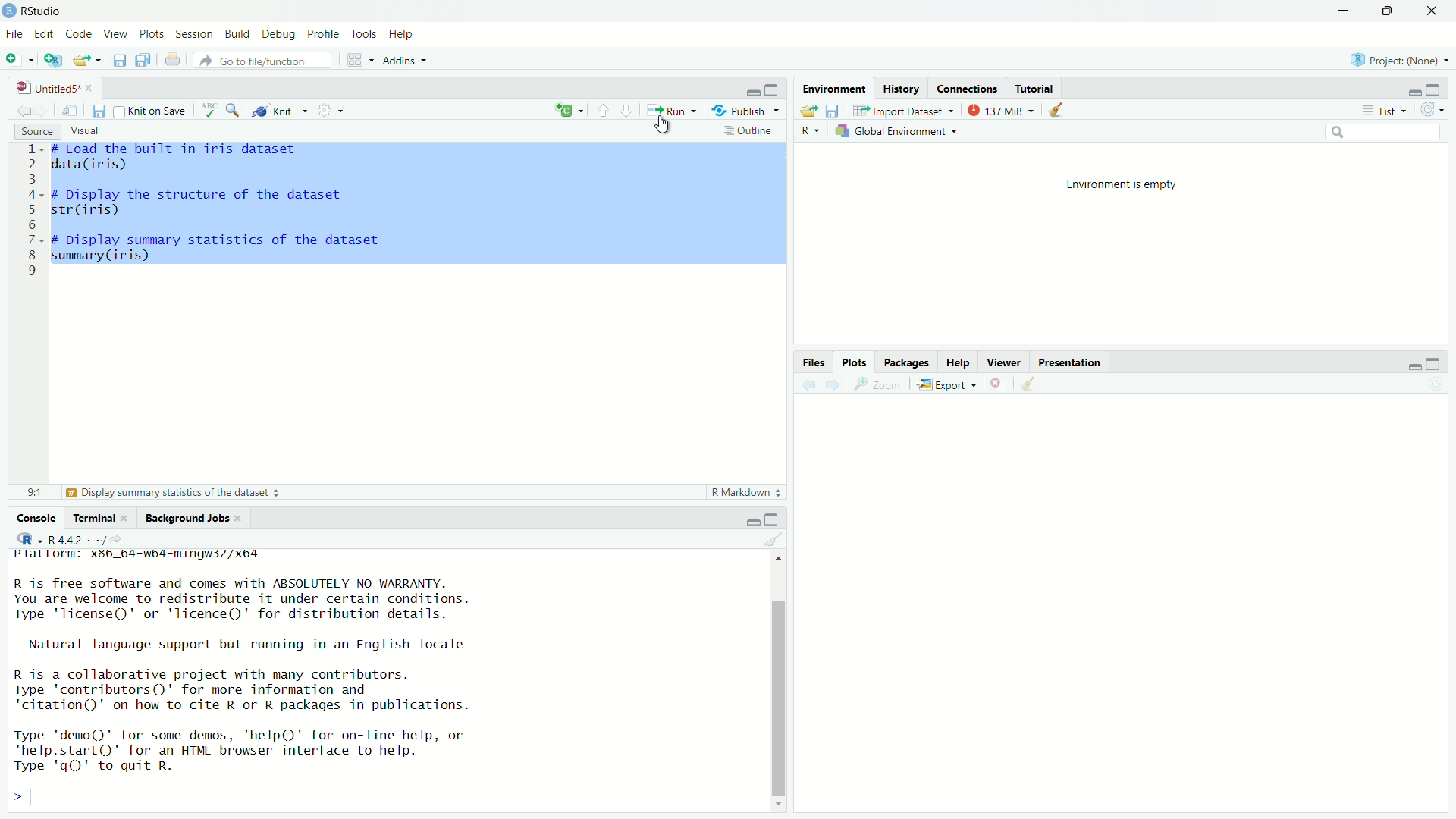 The width and height of the screenshot is (1456, 819). I want to click on Tools, so click(366, 34).